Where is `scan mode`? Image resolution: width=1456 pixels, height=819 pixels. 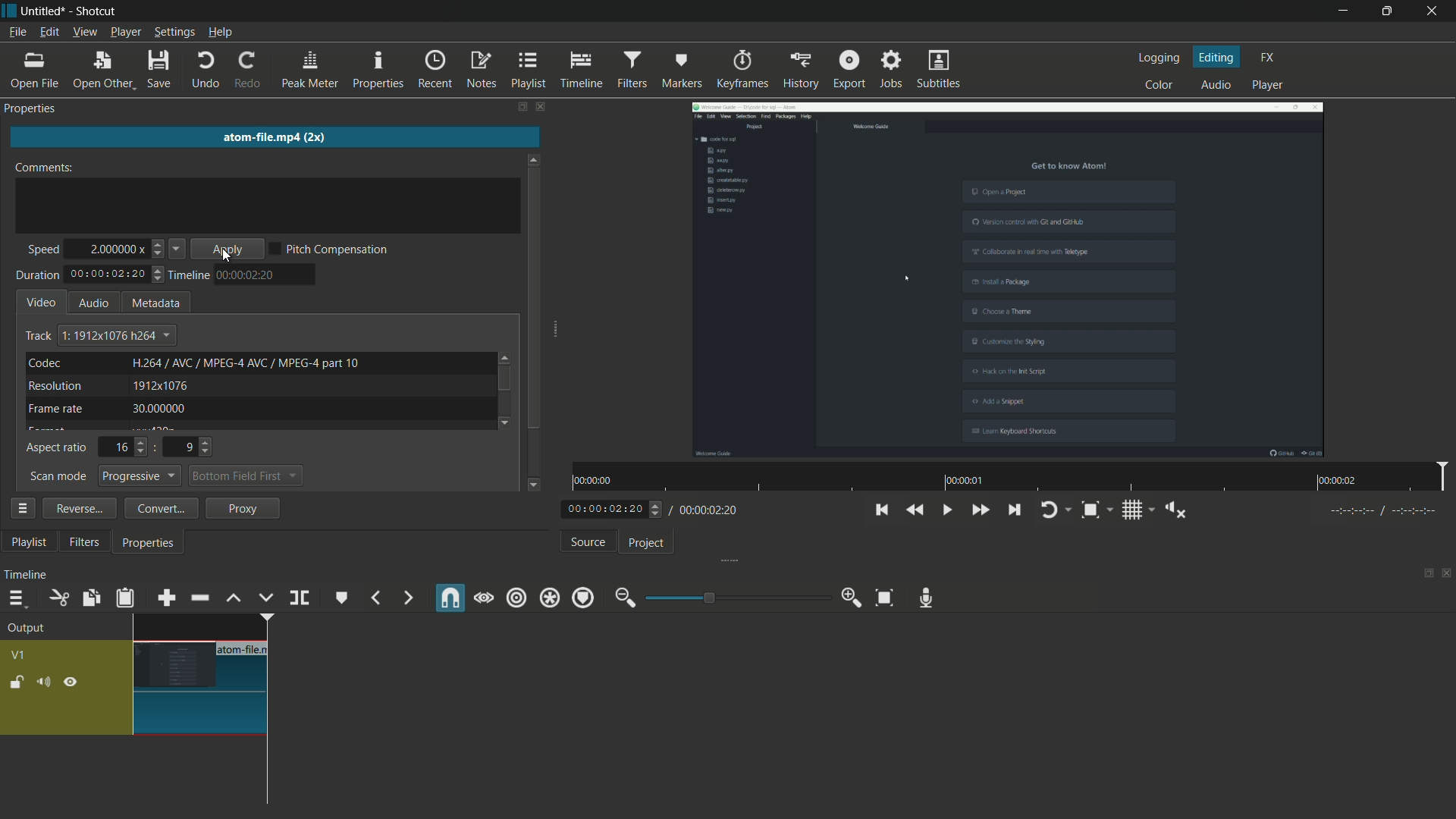
scan mode is located at coordinates (58, 477).